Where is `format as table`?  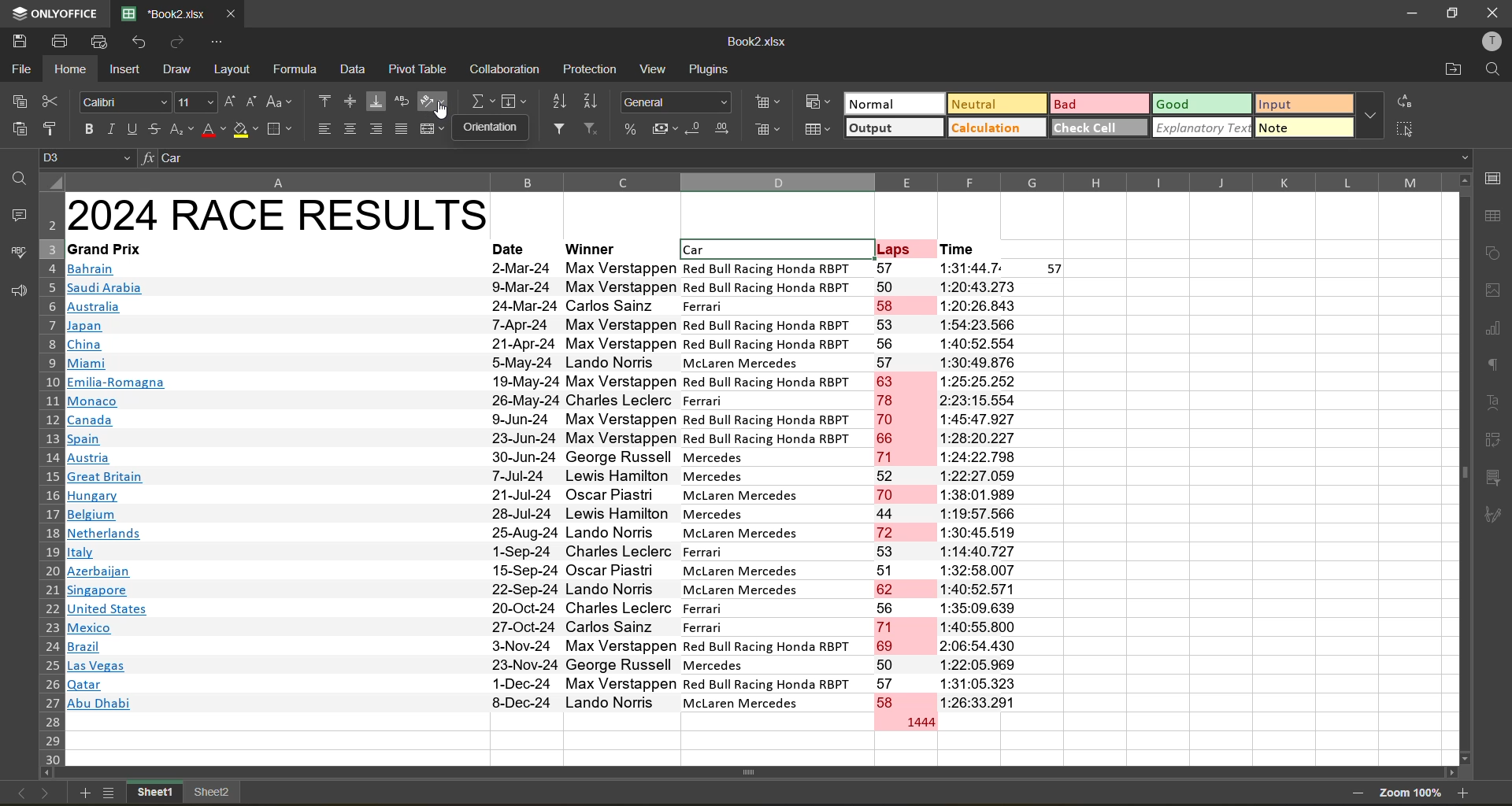
format as table is located at coordinates (818, 130).